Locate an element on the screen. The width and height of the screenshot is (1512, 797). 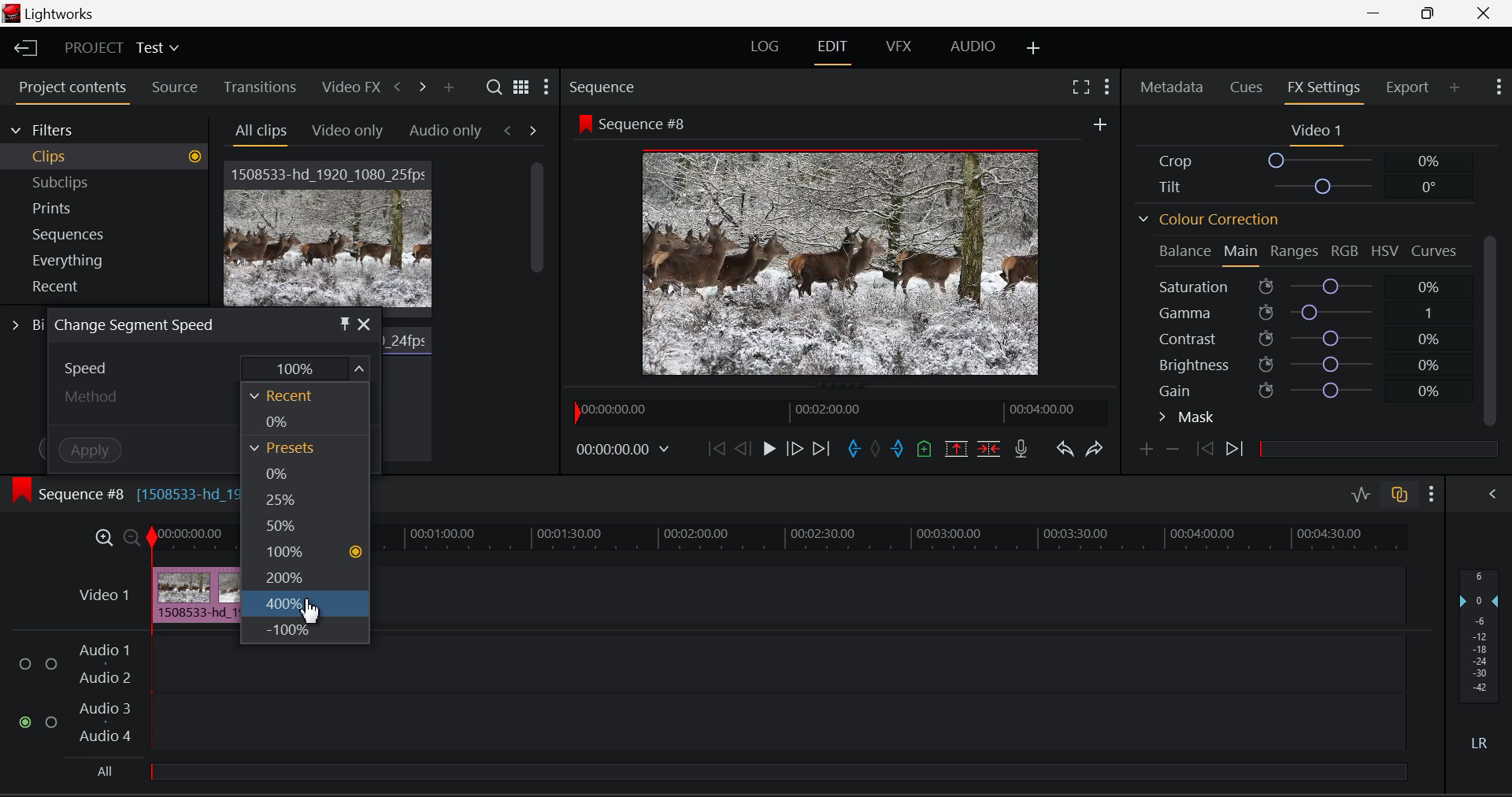
Apply is located at coordinates (93, 451).